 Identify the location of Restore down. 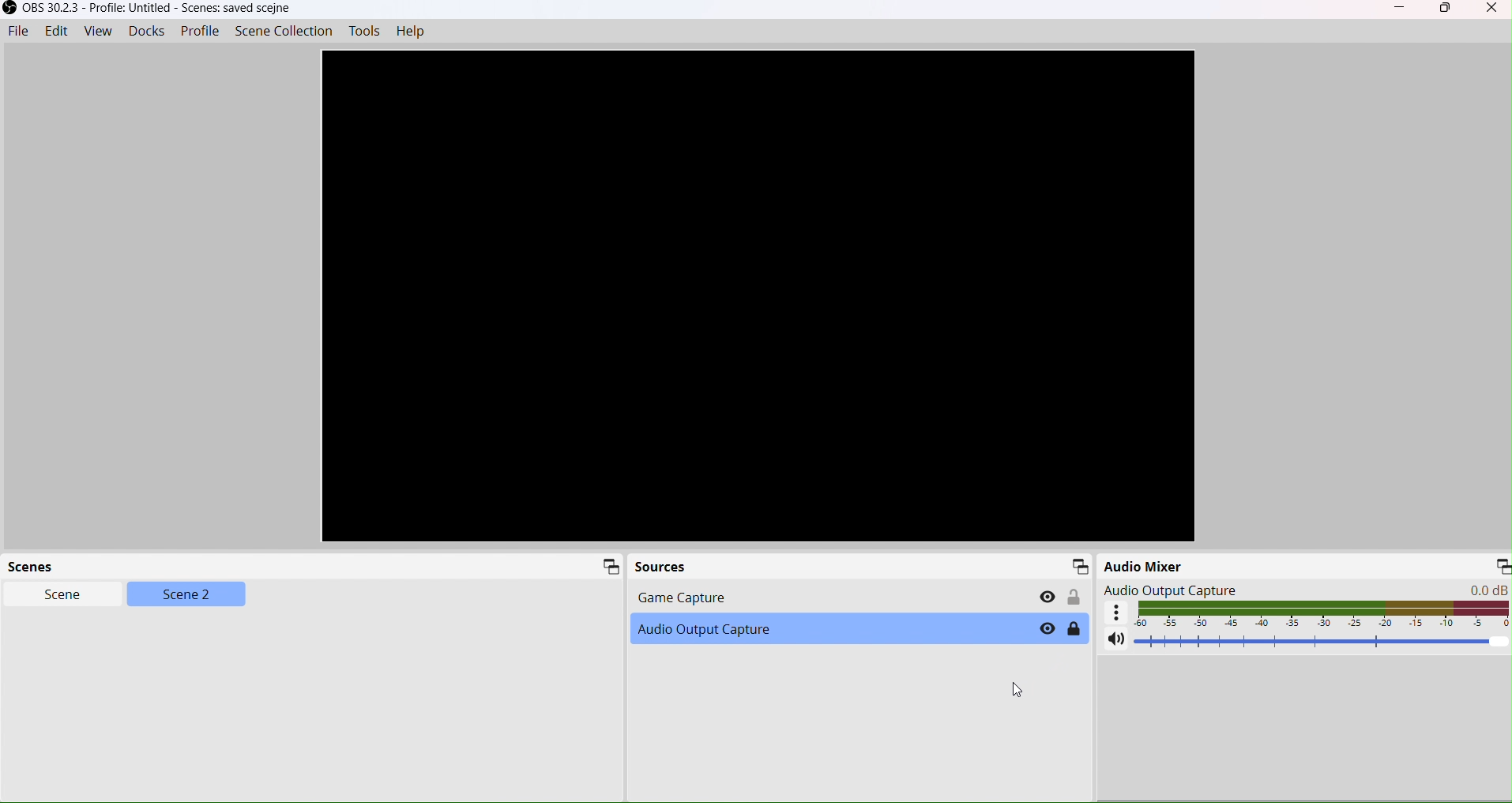
(1446, 6).